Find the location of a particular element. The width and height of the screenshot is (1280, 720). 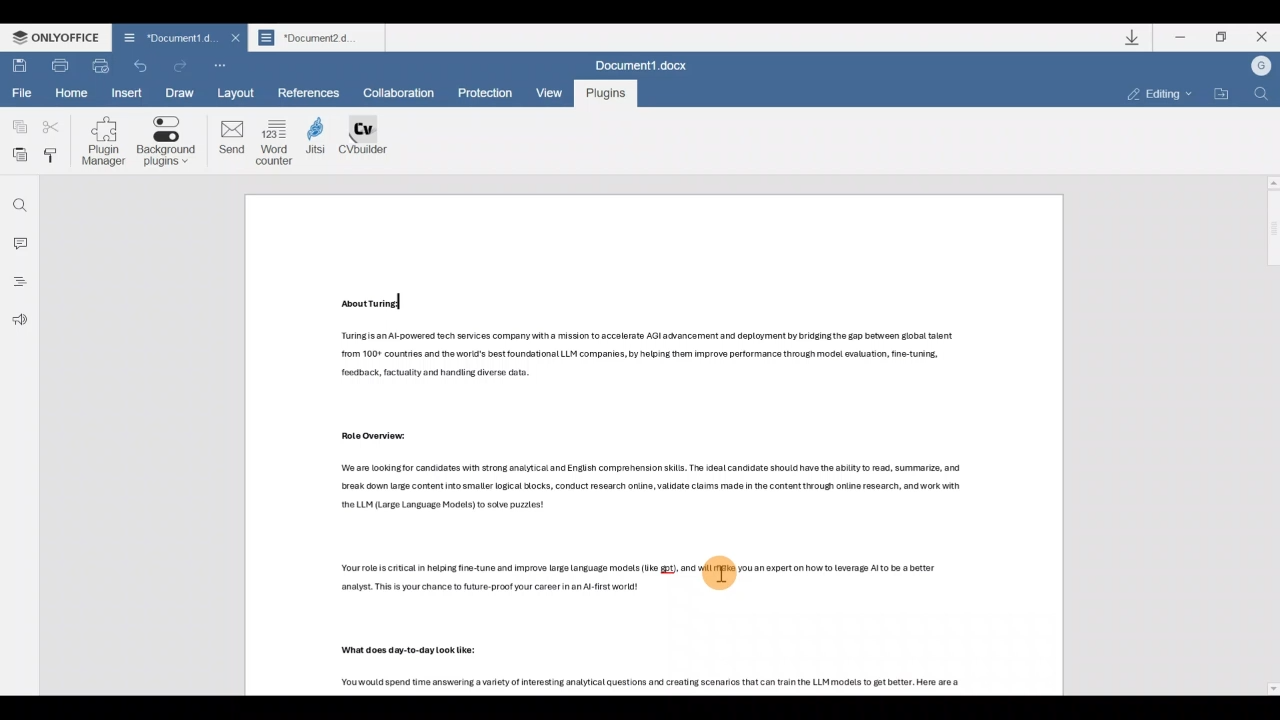

Customize quick access toolbar is located at coordinates (221, 66).